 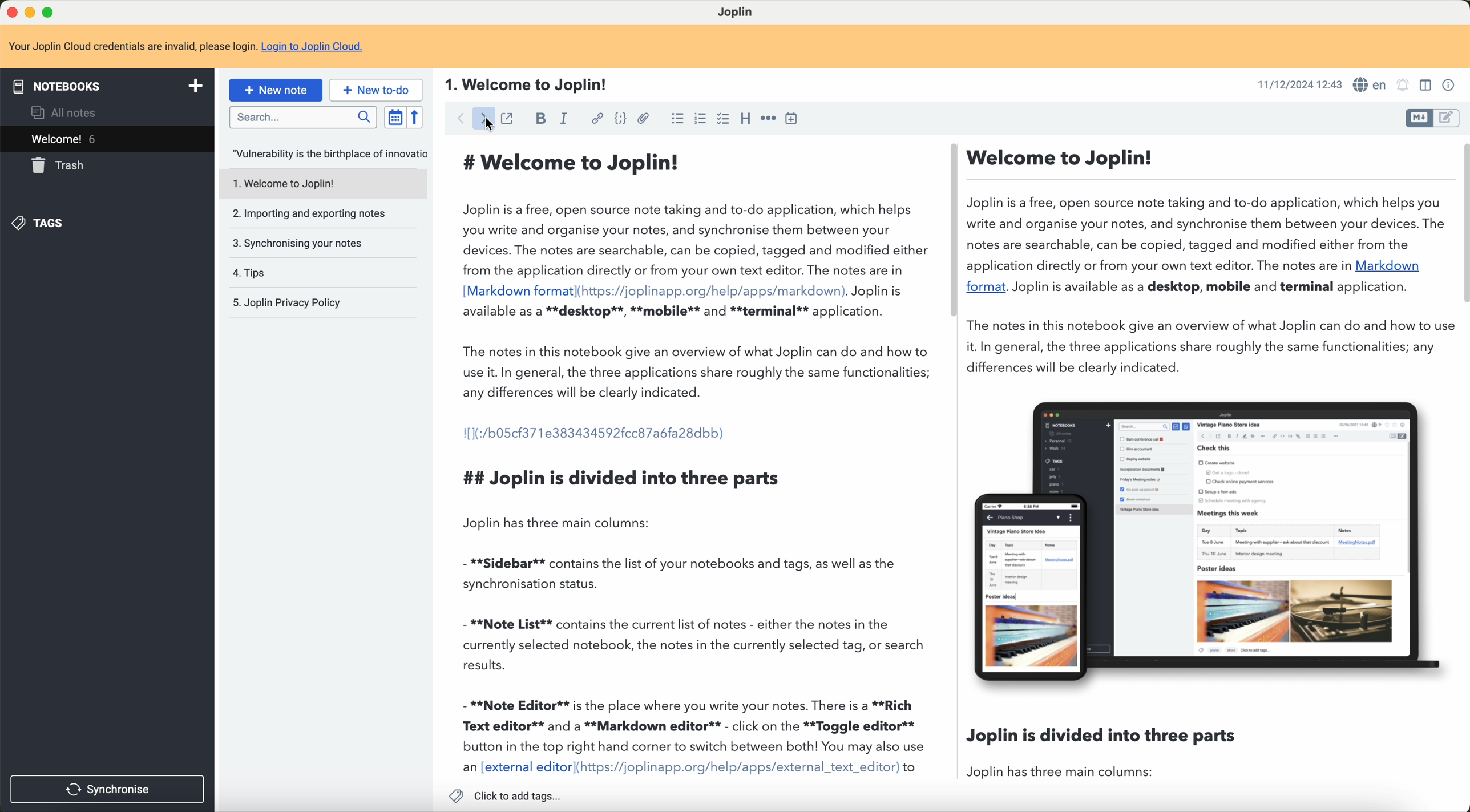 I want to click on title, so click(x=708, y=85).